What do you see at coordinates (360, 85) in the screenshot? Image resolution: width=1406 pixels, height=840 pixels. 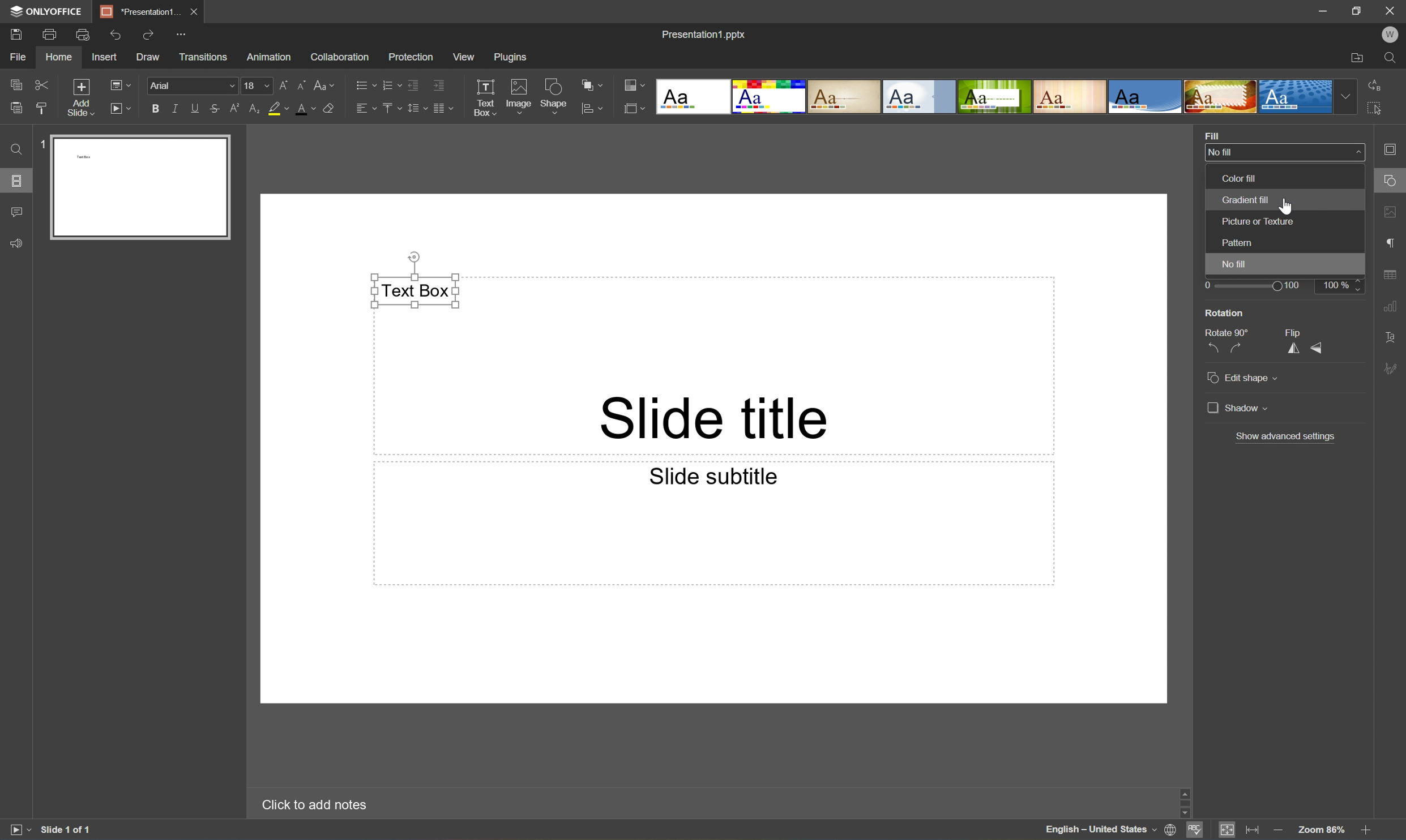 I see `Bullets` at bounding box center [360, 85].